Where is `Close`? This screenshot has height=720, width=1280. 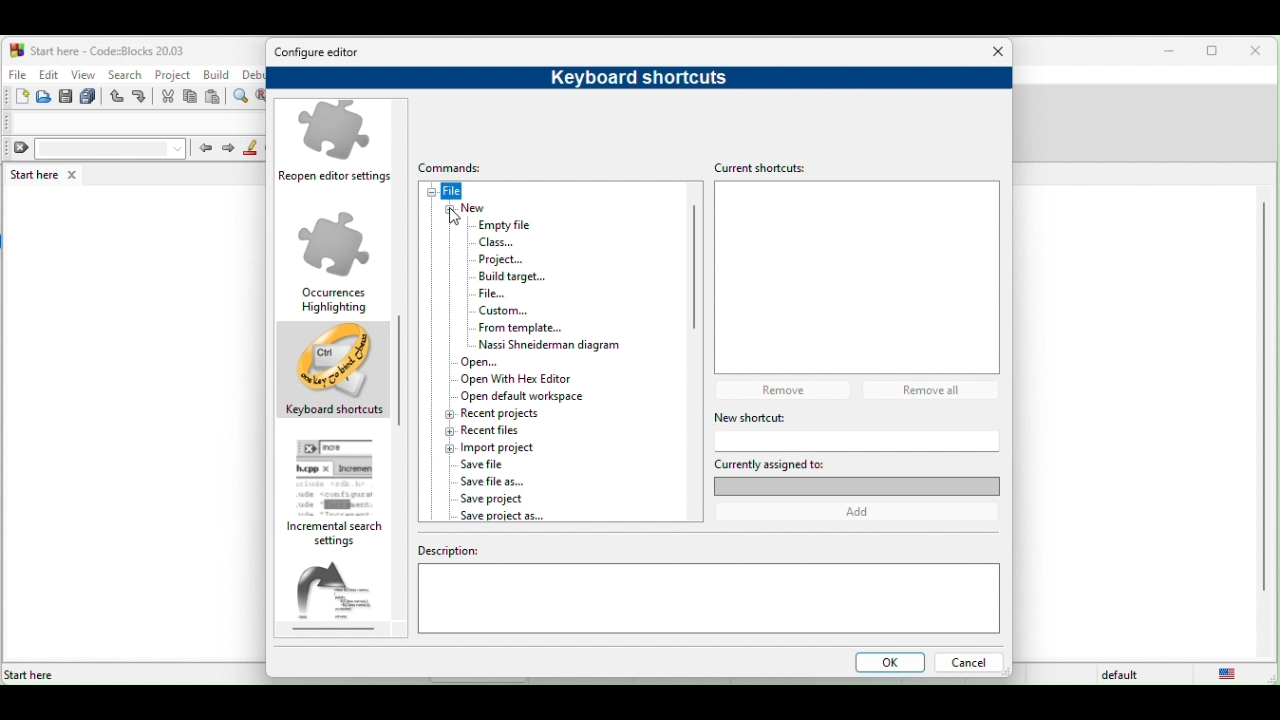 Close is located at coordinates (999, 52).